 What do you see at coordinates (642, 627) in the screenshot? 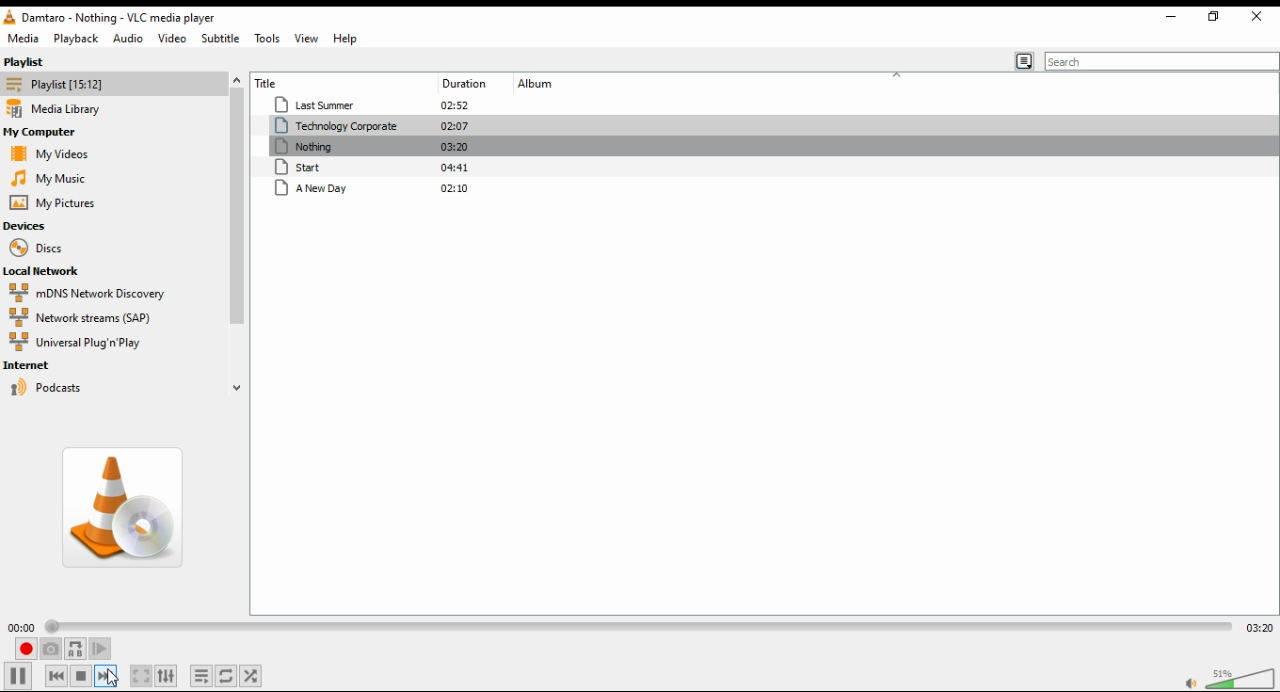
I see `seek bar` at bounding box center [642, 627].